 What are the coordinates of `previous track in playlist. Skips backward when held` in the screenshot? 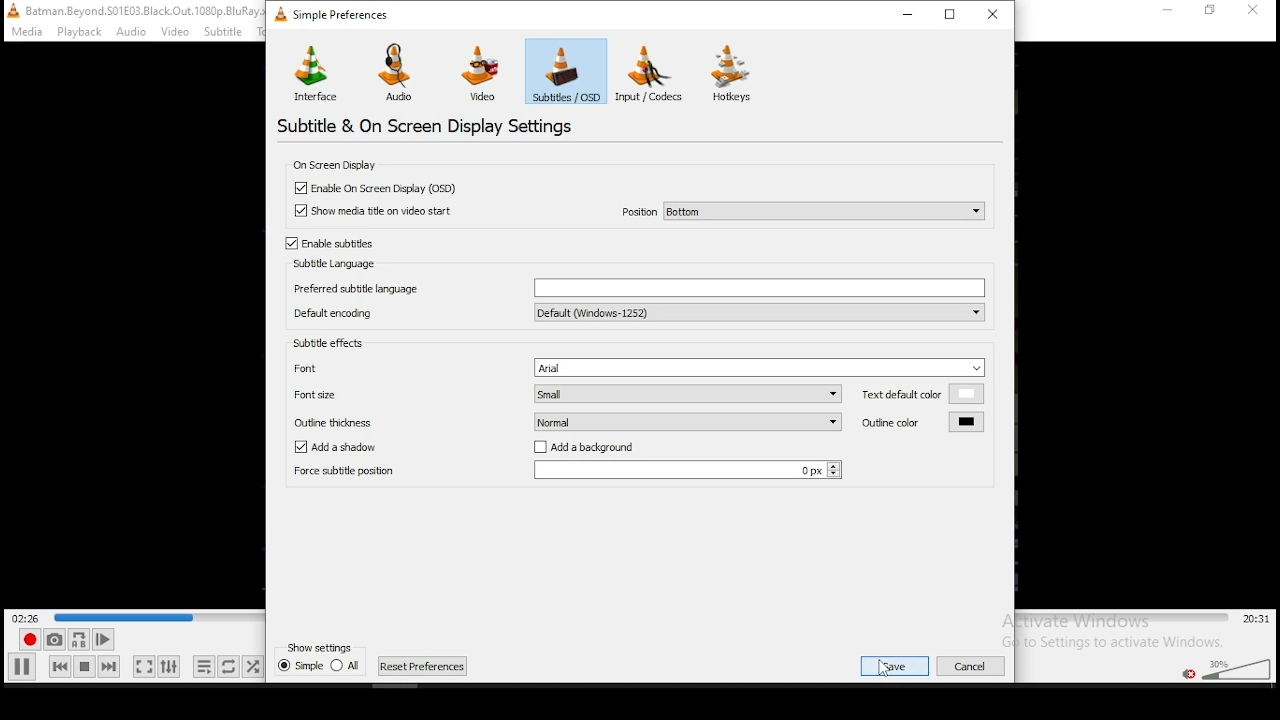 It's located at (59, 665).